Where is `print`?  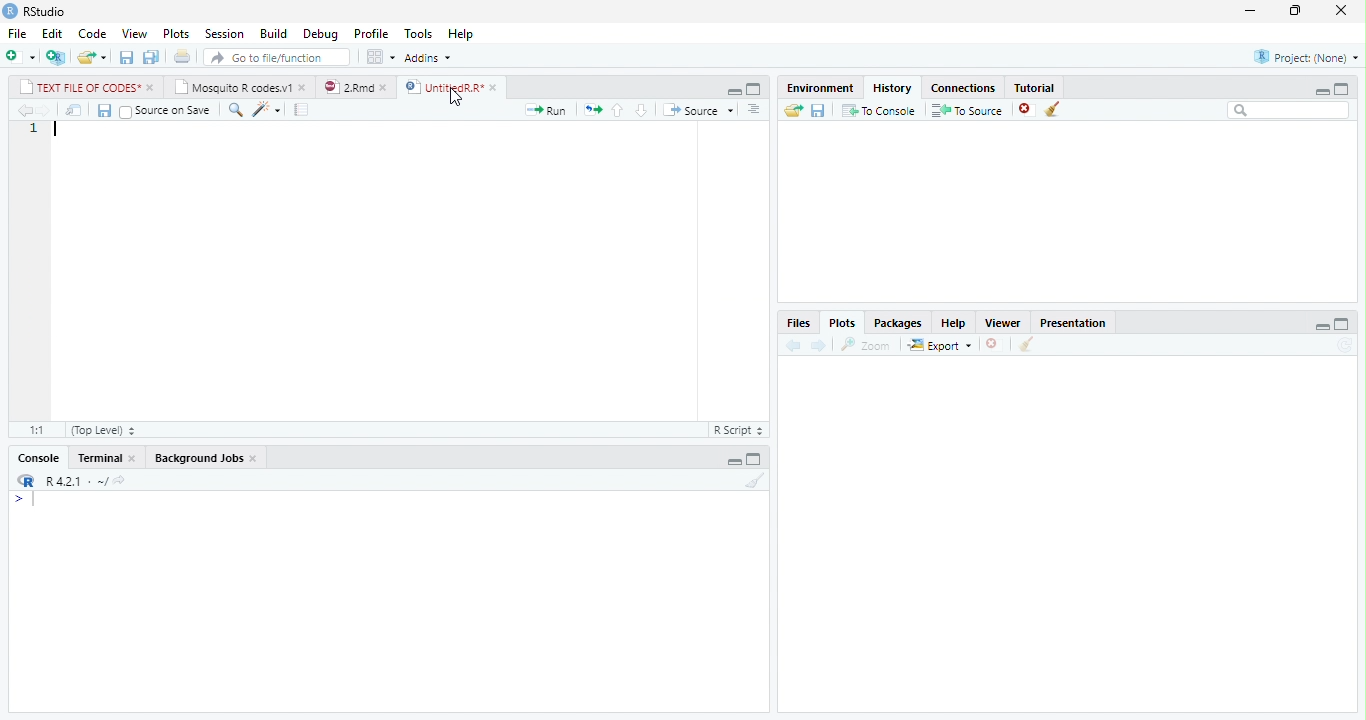 print is located at coordinates (181, 56).